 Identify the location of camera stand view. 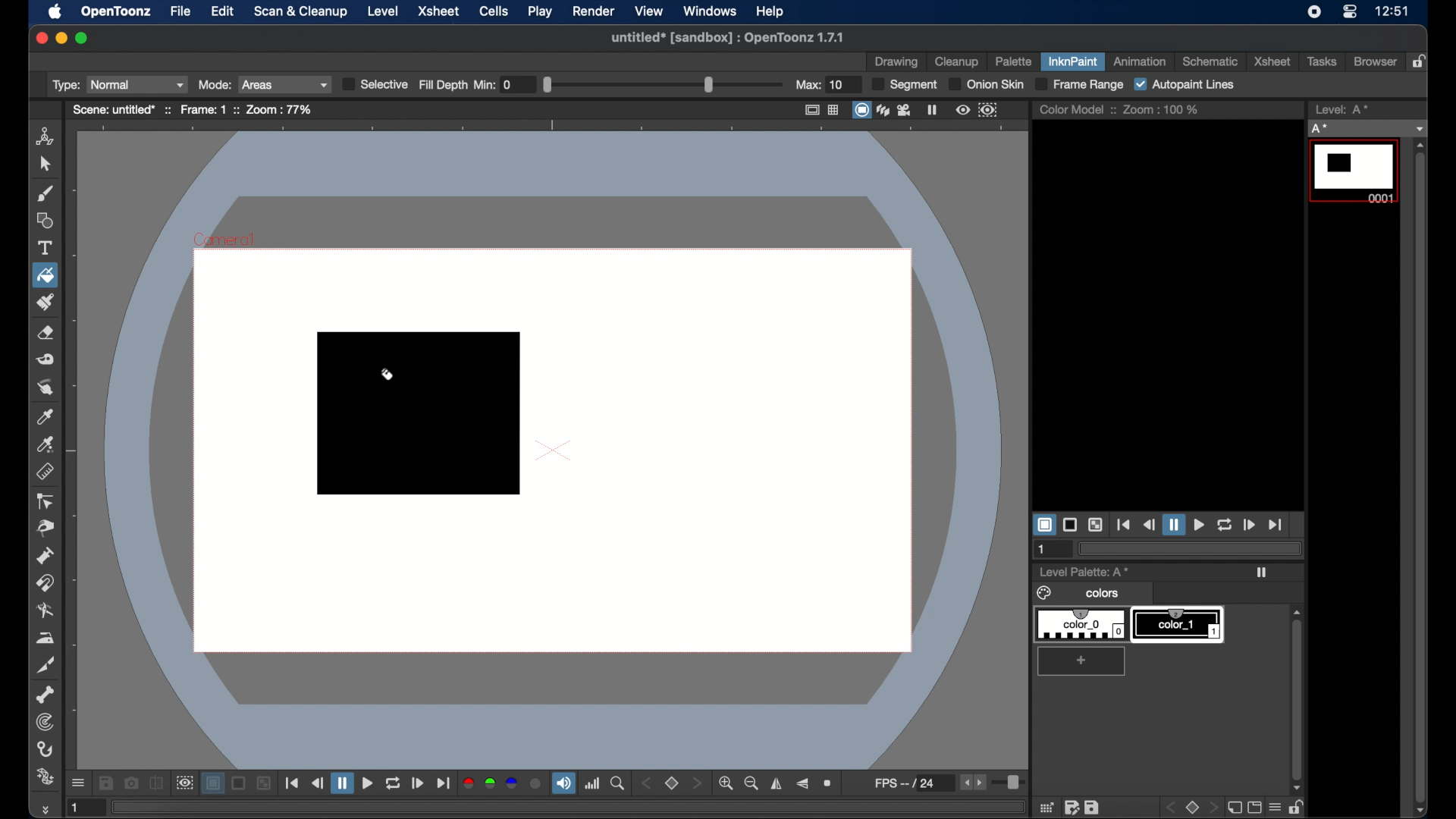
(861, 109).